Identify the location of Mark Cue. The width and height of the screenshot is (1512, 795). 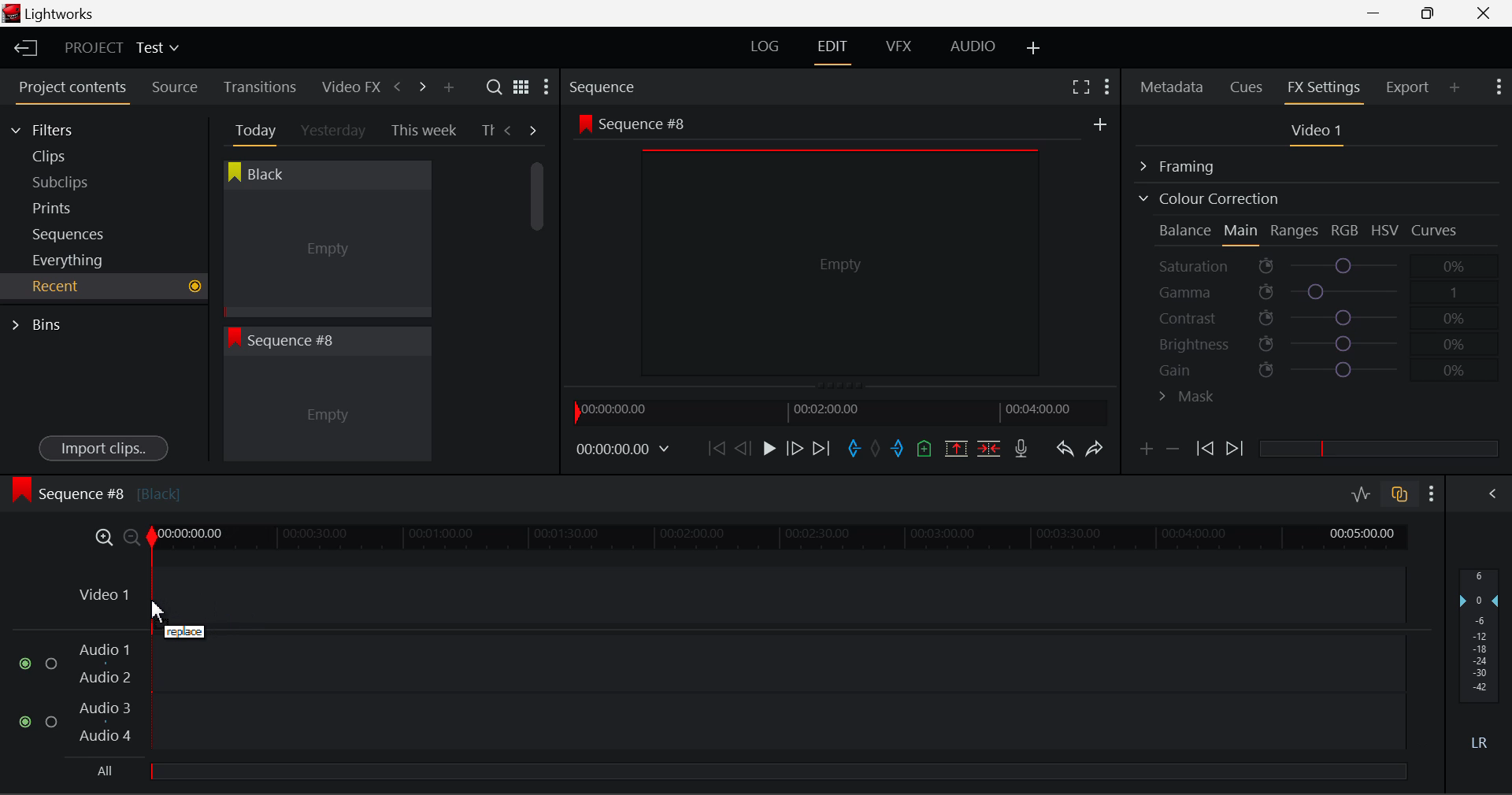
(923, 449).